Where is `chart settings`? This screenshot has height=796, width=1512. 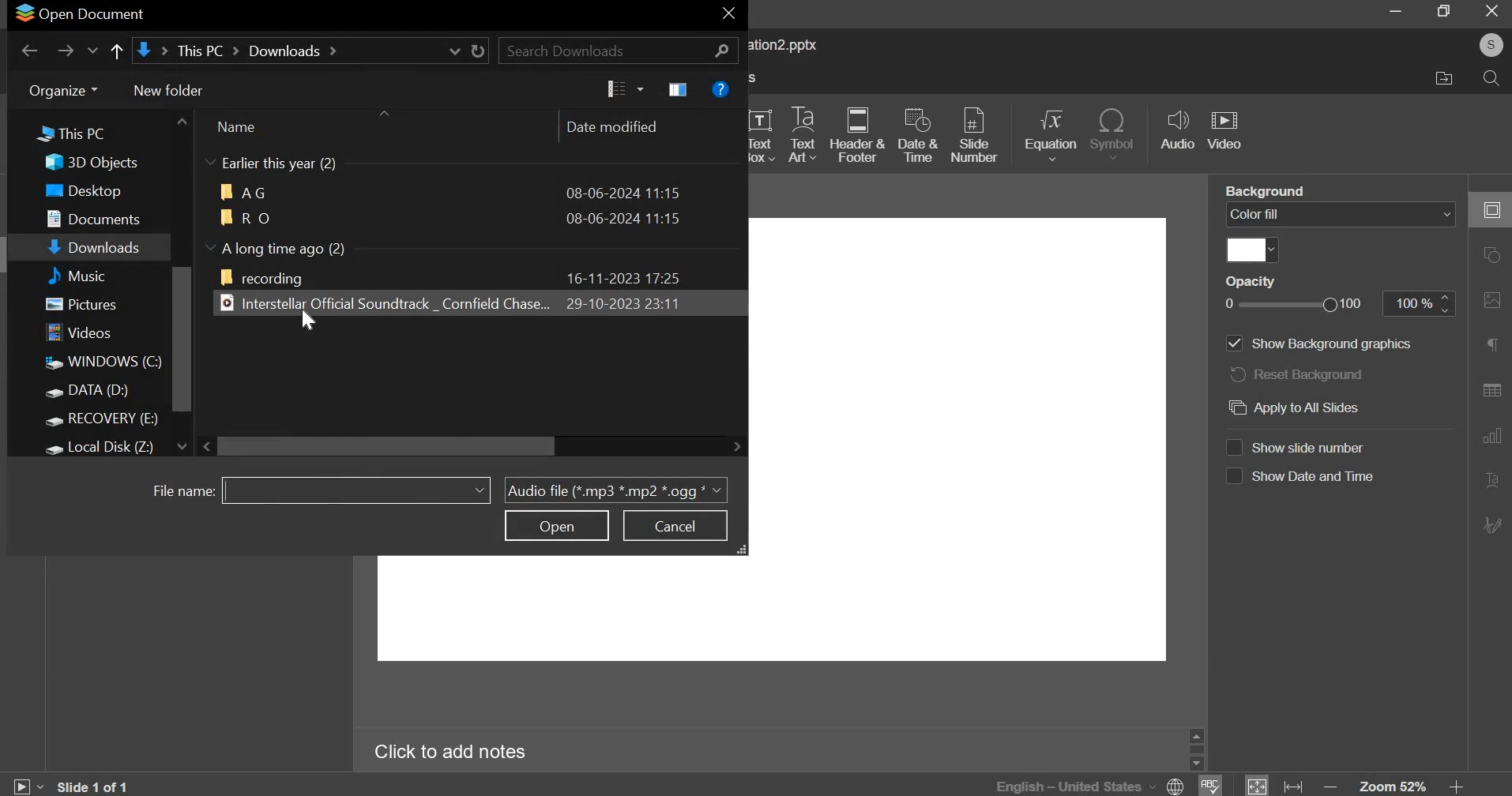 chart settings is located at coordinates (1491, 436).